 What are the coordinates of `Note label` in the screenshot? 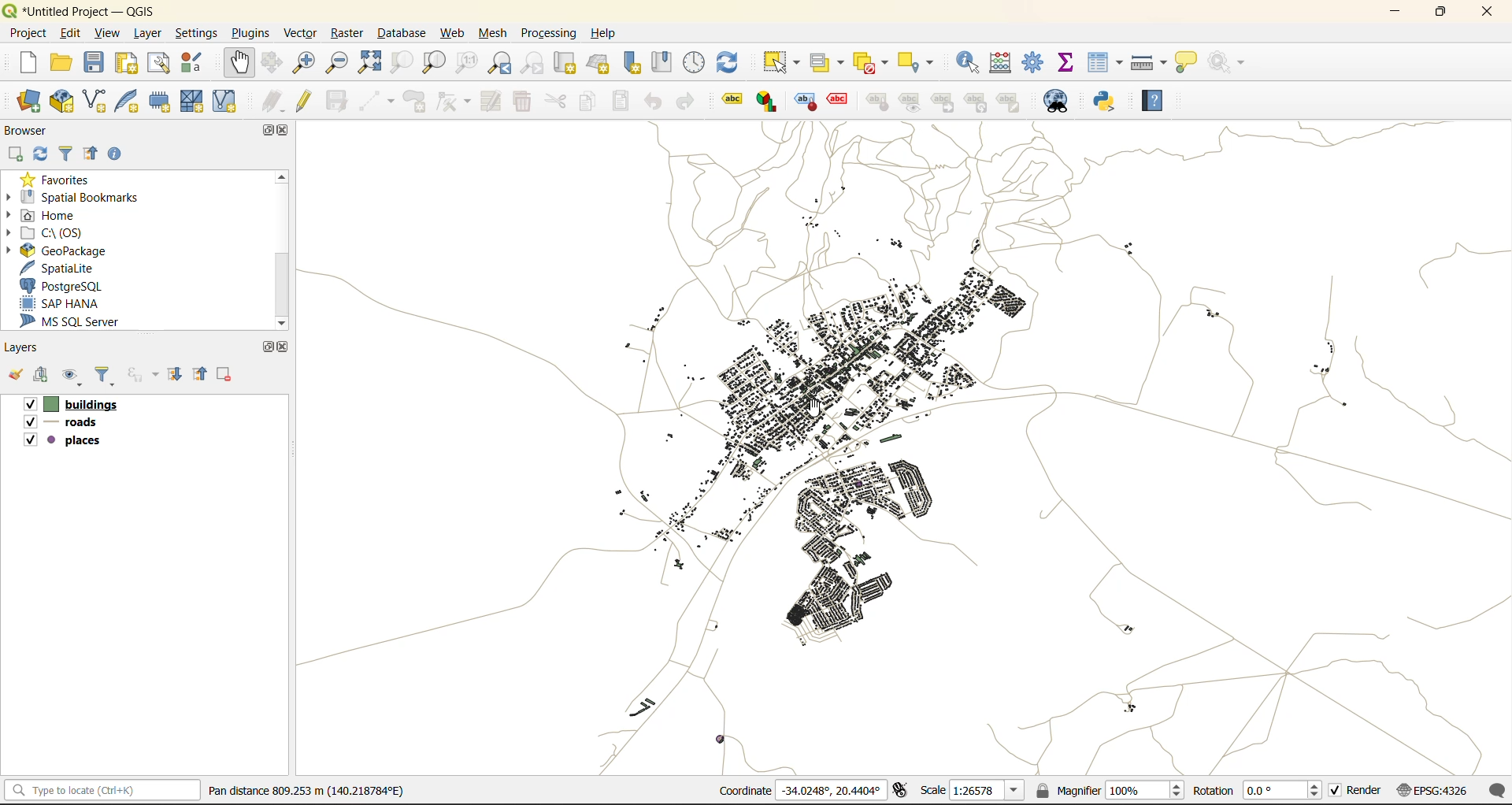 It's located at (1012, 101).